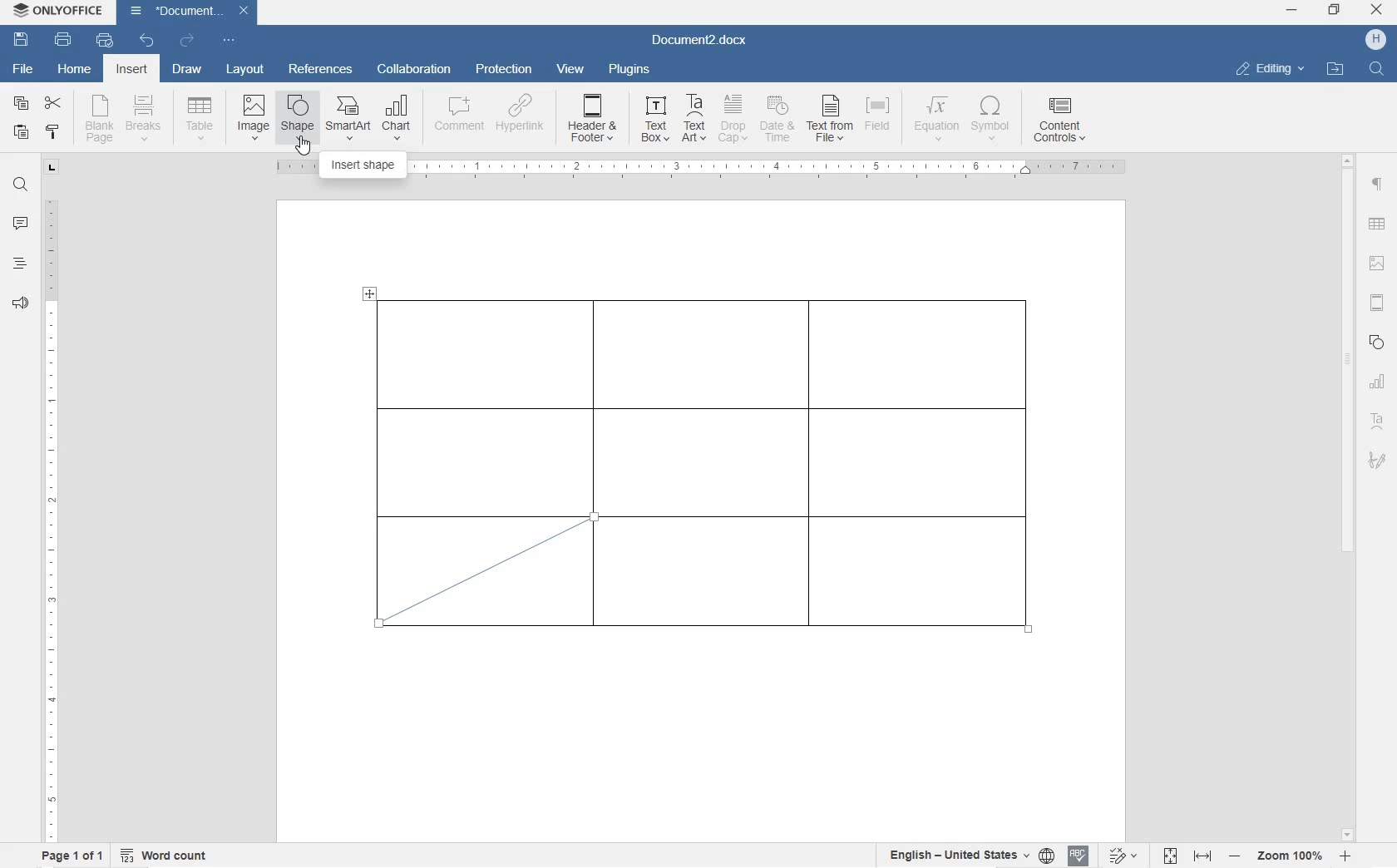  Describe the element at coordinates (397, 116) in the screenshot. I see `CHART` at that location.